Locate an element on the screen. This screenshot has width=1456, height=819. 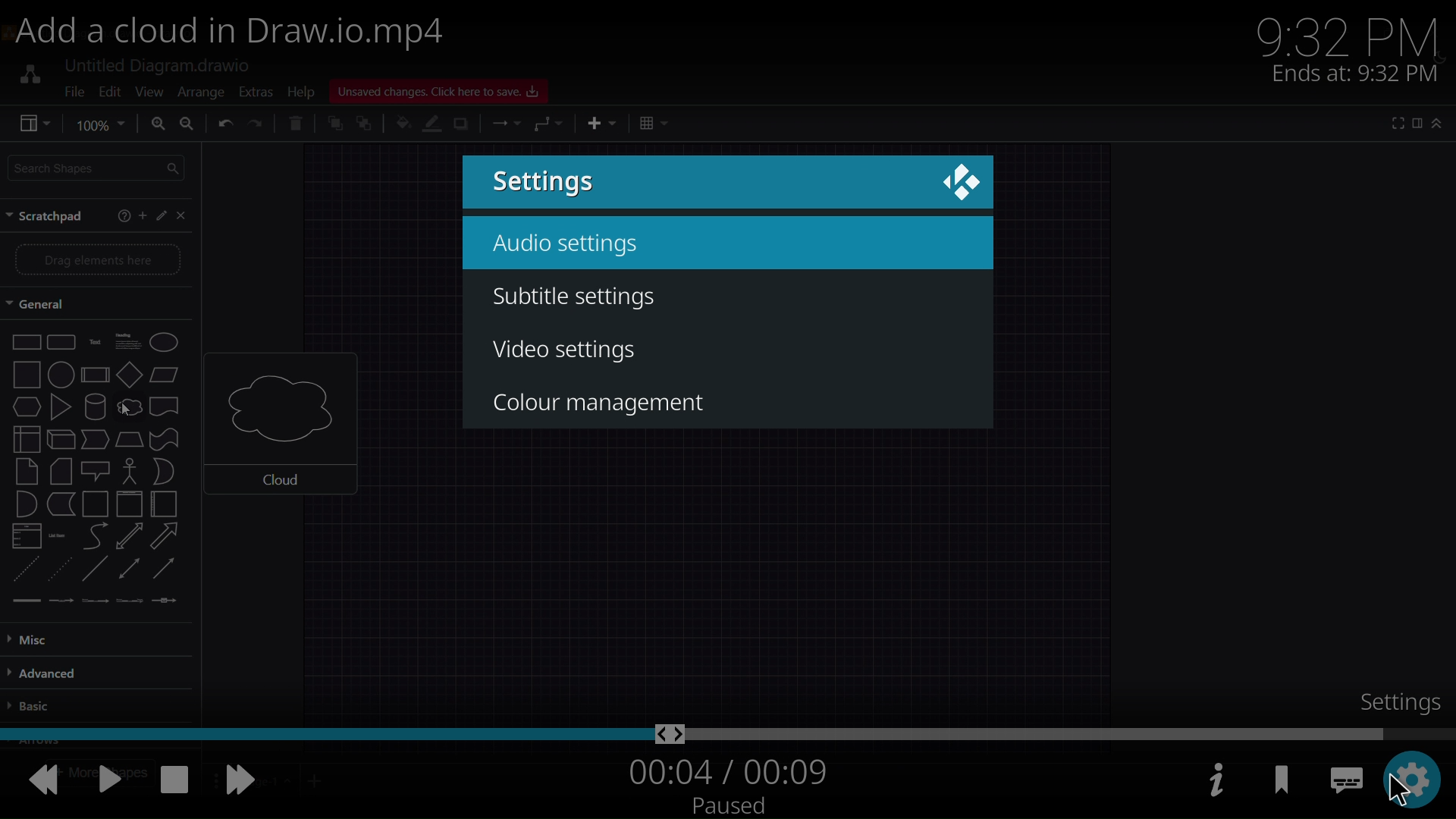
paused is located at coordinates (731, 806).